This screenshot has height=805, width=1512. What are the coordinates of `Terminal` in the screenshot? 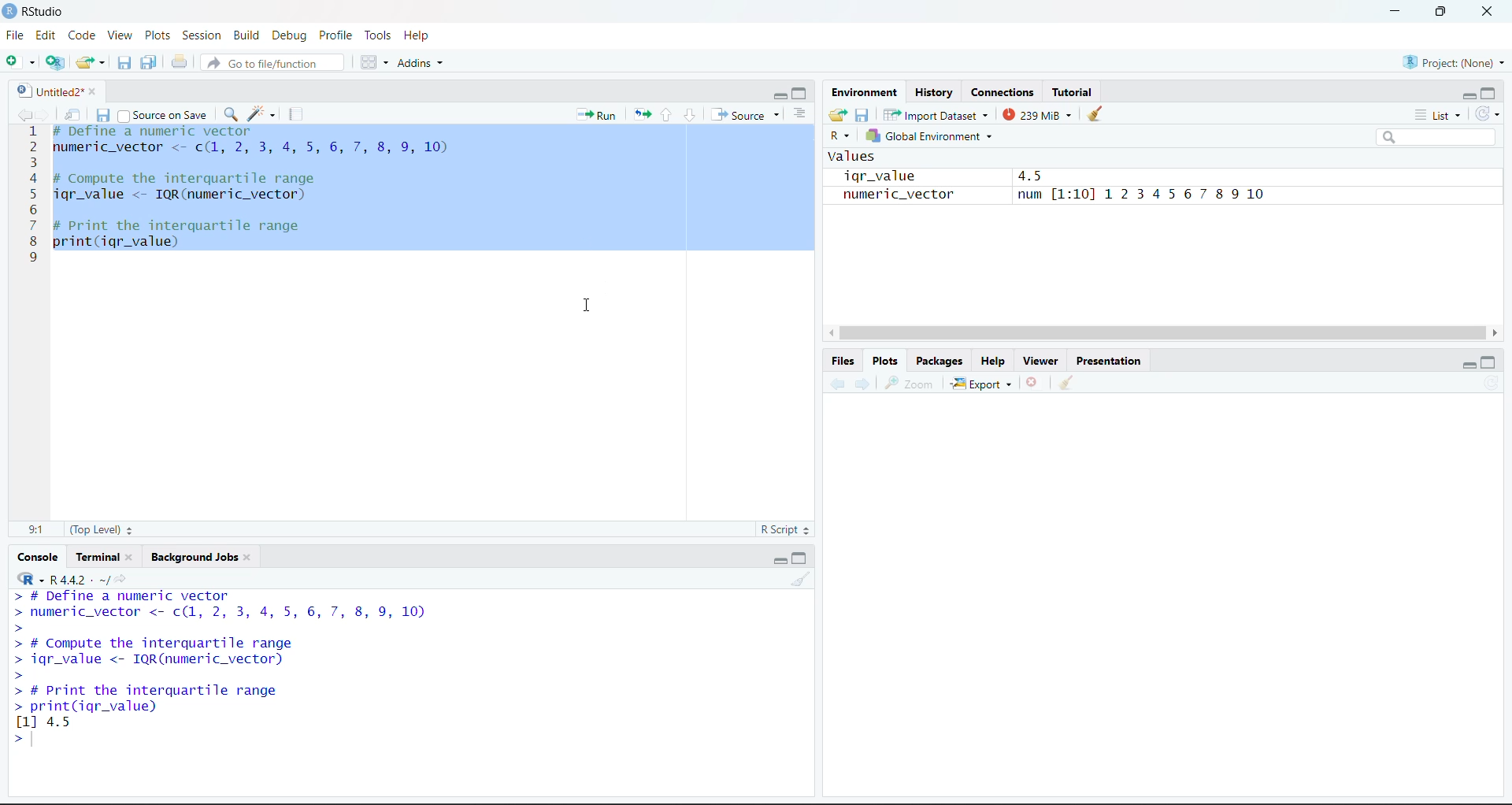 It's located at (105, 557).